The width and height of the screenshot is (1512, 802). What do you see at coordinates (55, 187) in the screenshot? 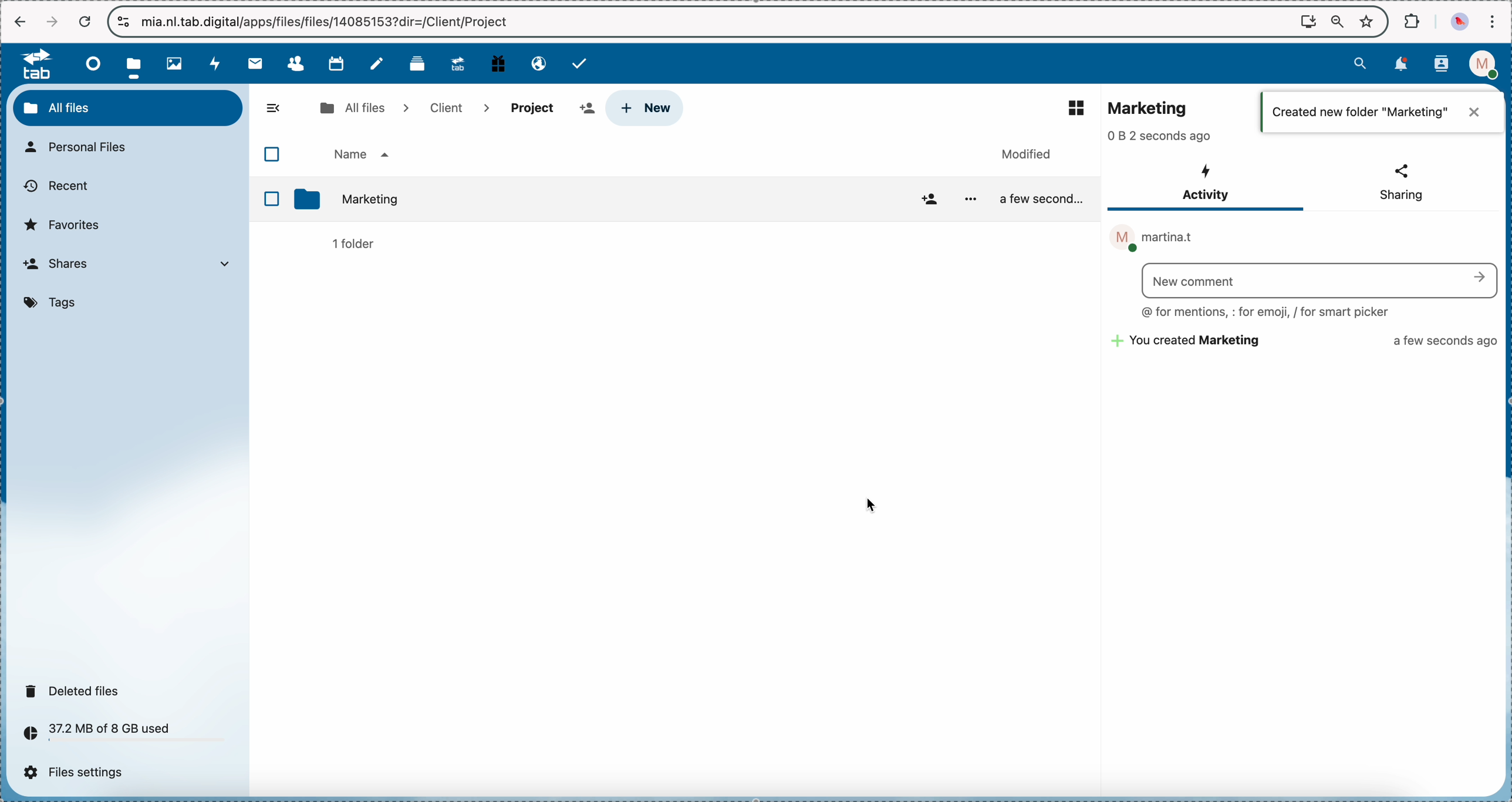
I see `recent` at bounding box center [55, 187].